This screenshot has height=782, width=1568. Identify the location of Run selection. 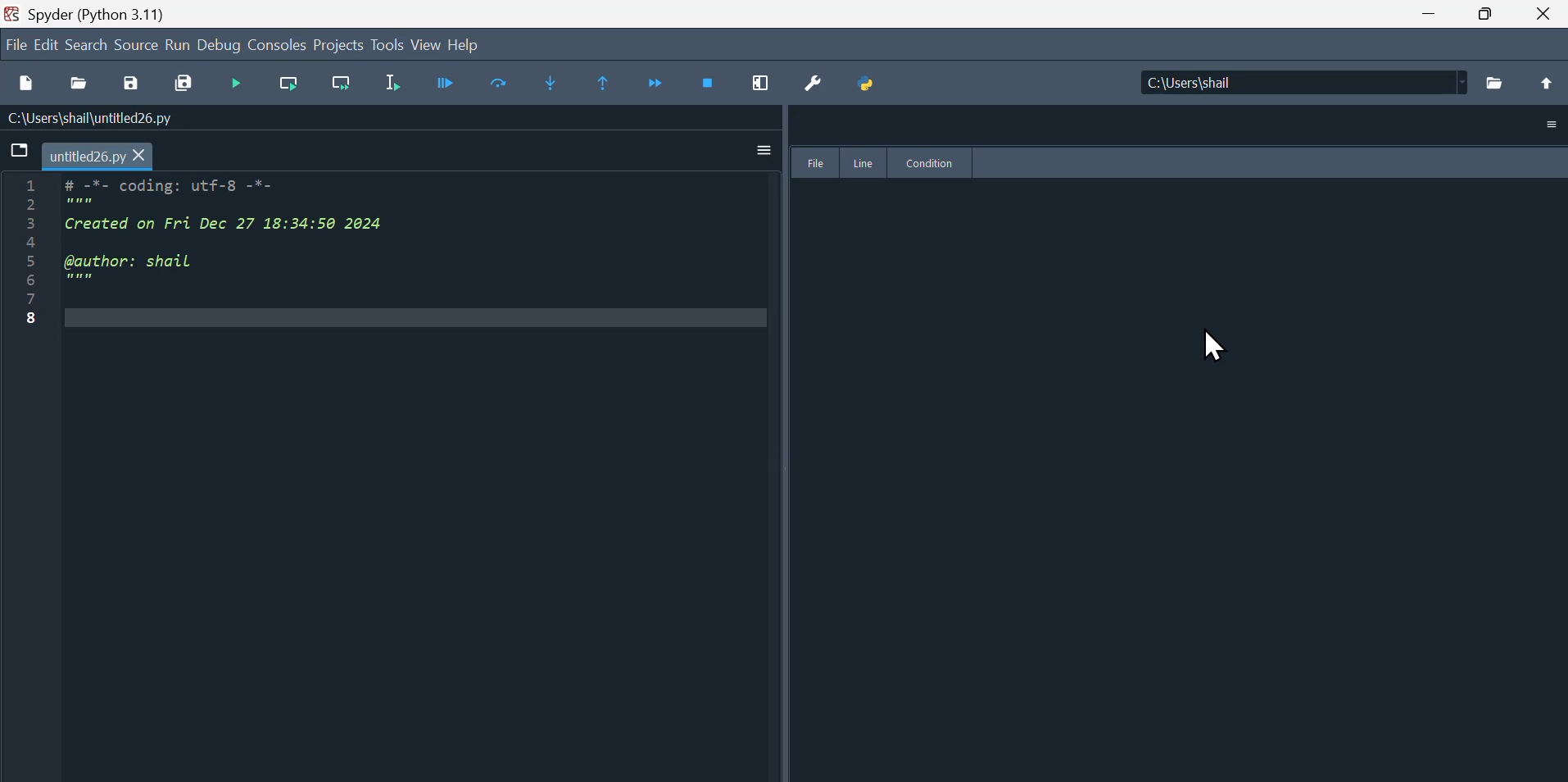
(393, 84).